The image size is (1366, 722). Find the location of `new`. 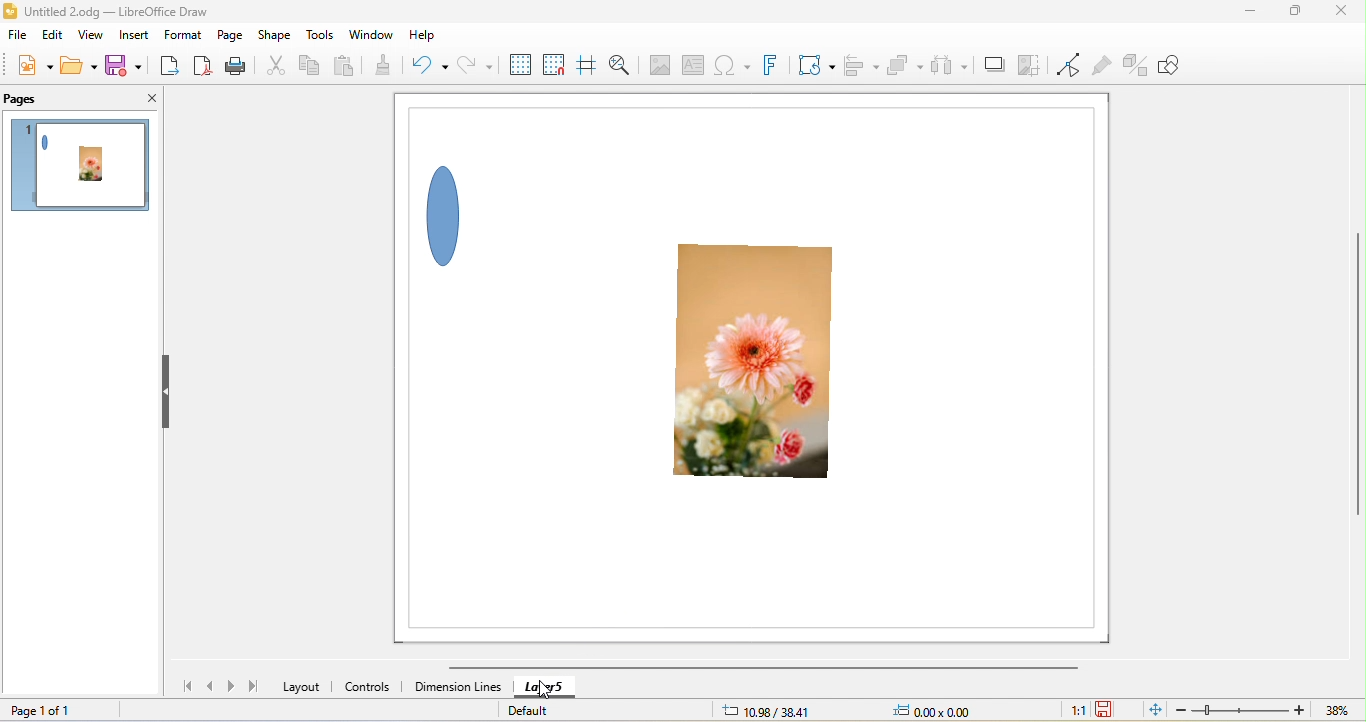

new is located at coordinates (35, 68).